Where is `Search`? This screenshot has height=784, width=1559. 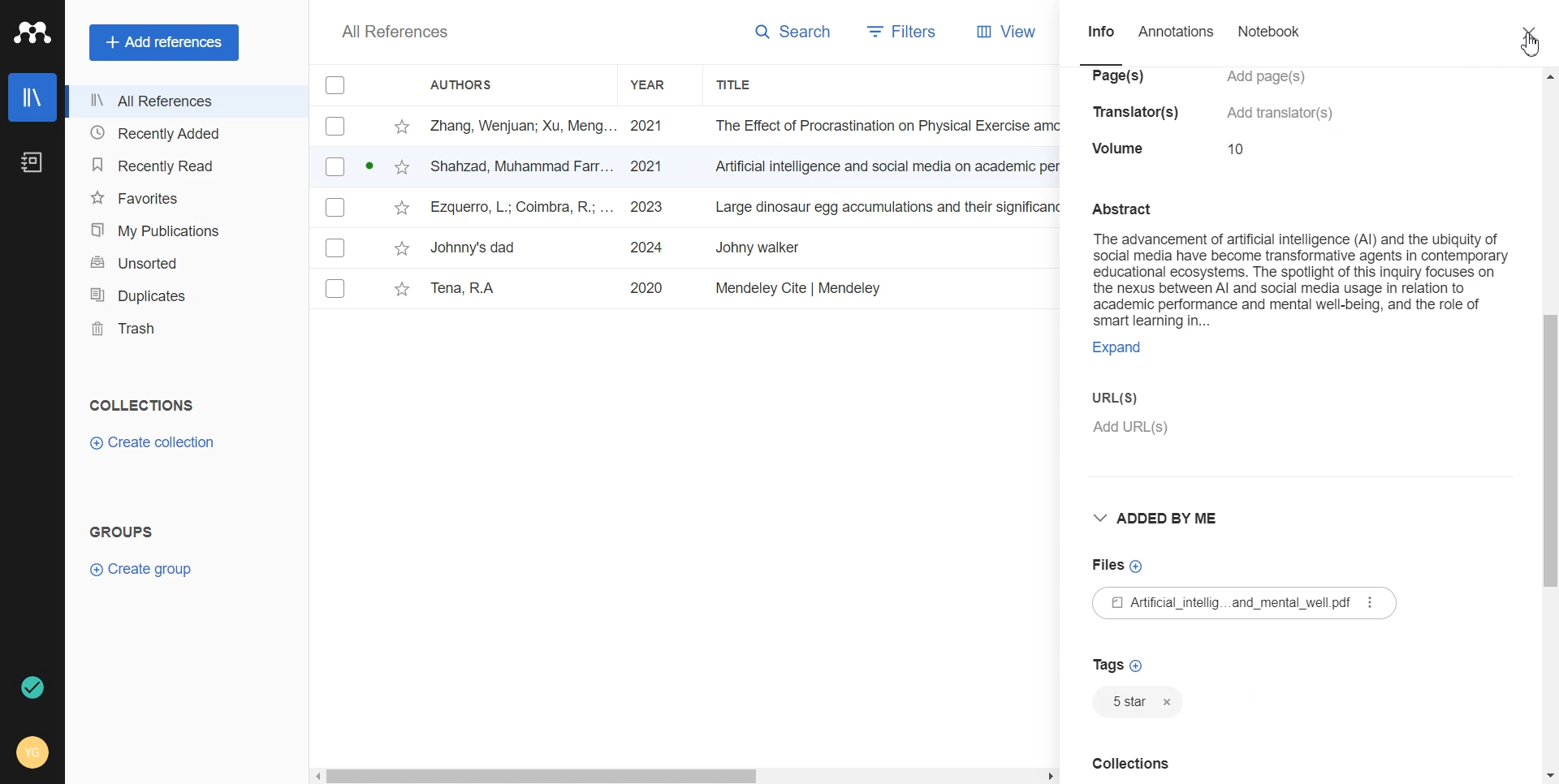
Search is located at coordinates (786, 34).